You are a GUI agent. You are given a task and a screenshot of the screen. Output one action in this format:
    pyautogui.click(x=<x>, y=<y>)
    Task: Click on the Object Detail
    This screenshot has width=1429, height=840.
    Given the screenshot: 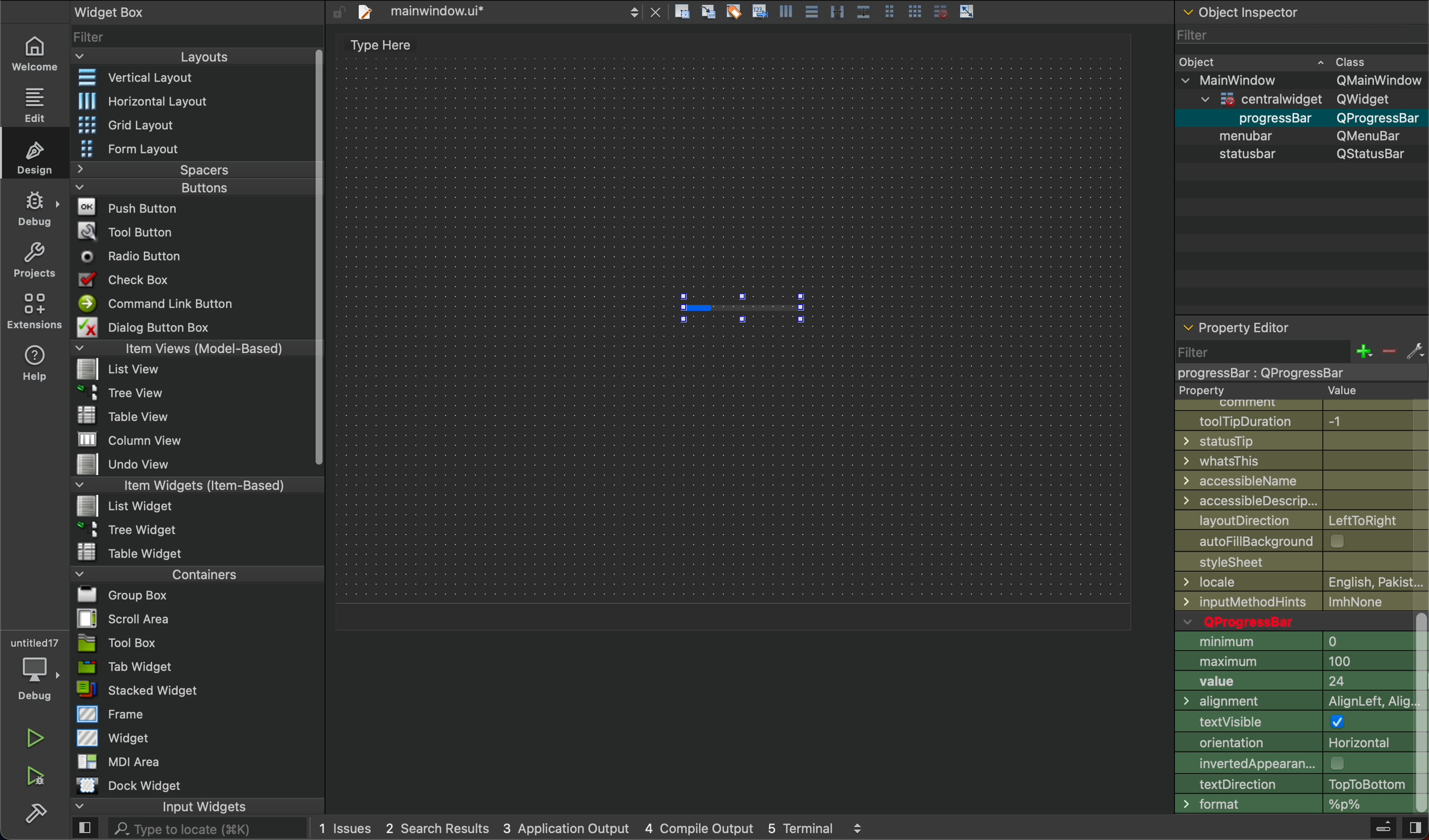 What is the action you would take?
    pyautogui.click(x=1300, y=107)
    